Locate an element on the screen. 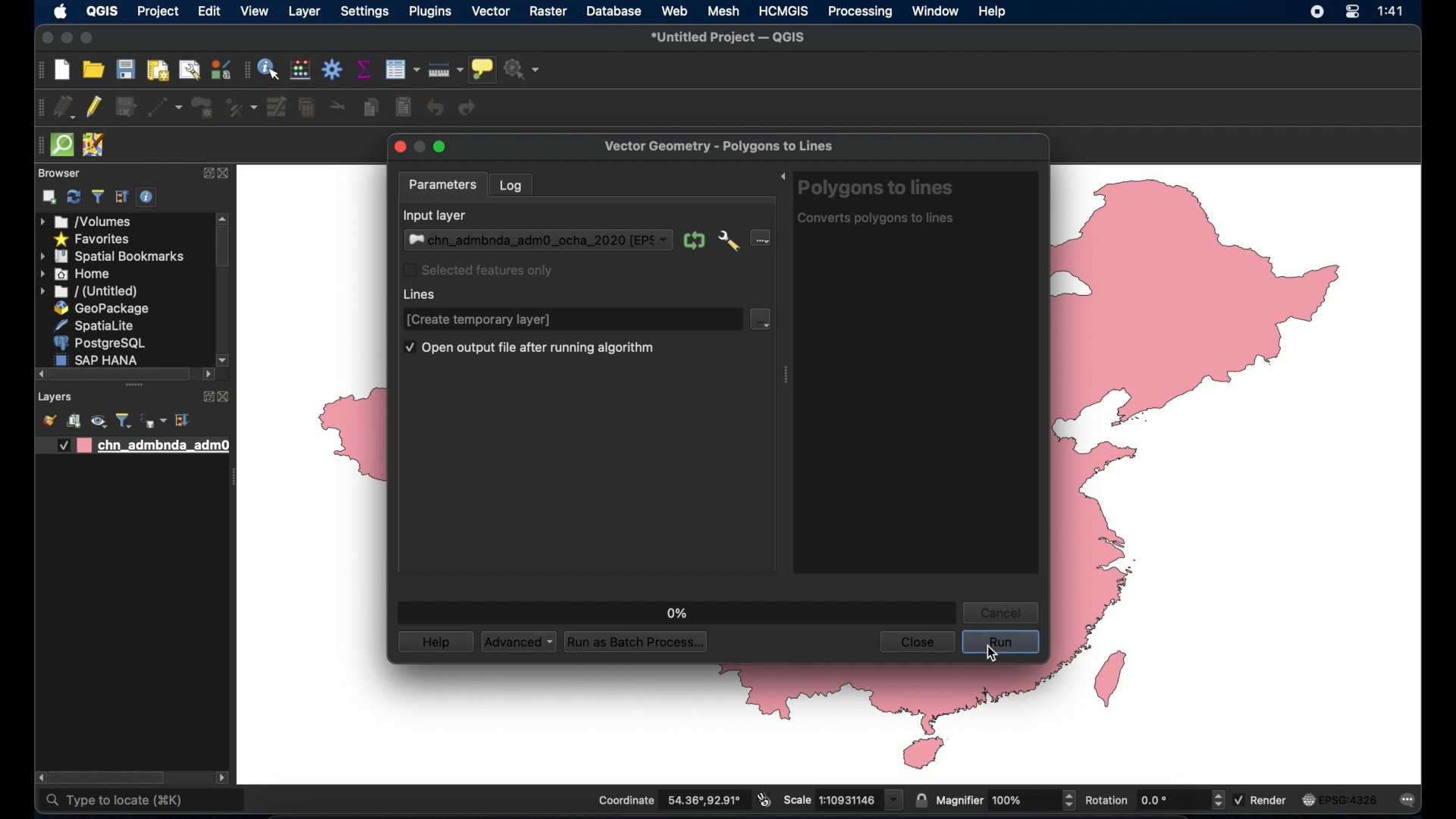 The height and width of the screenshot is (819, 1456). vector geometry - polygons to lines is located at coordinates (719, 146).